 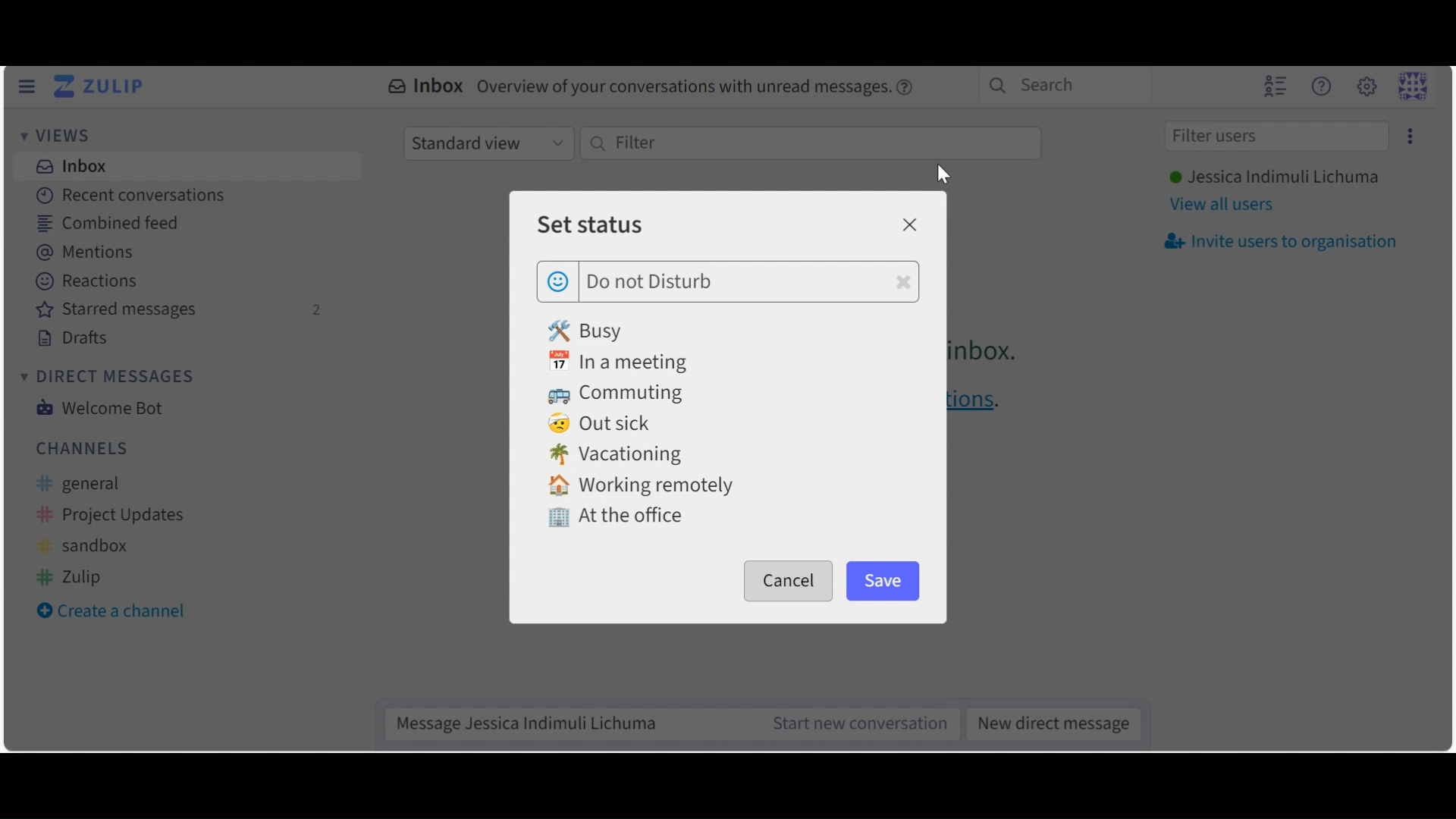 What do you see at coordinates (588, 330) in the screenshot?
I see `Busy` at bounding box center [588, 330].